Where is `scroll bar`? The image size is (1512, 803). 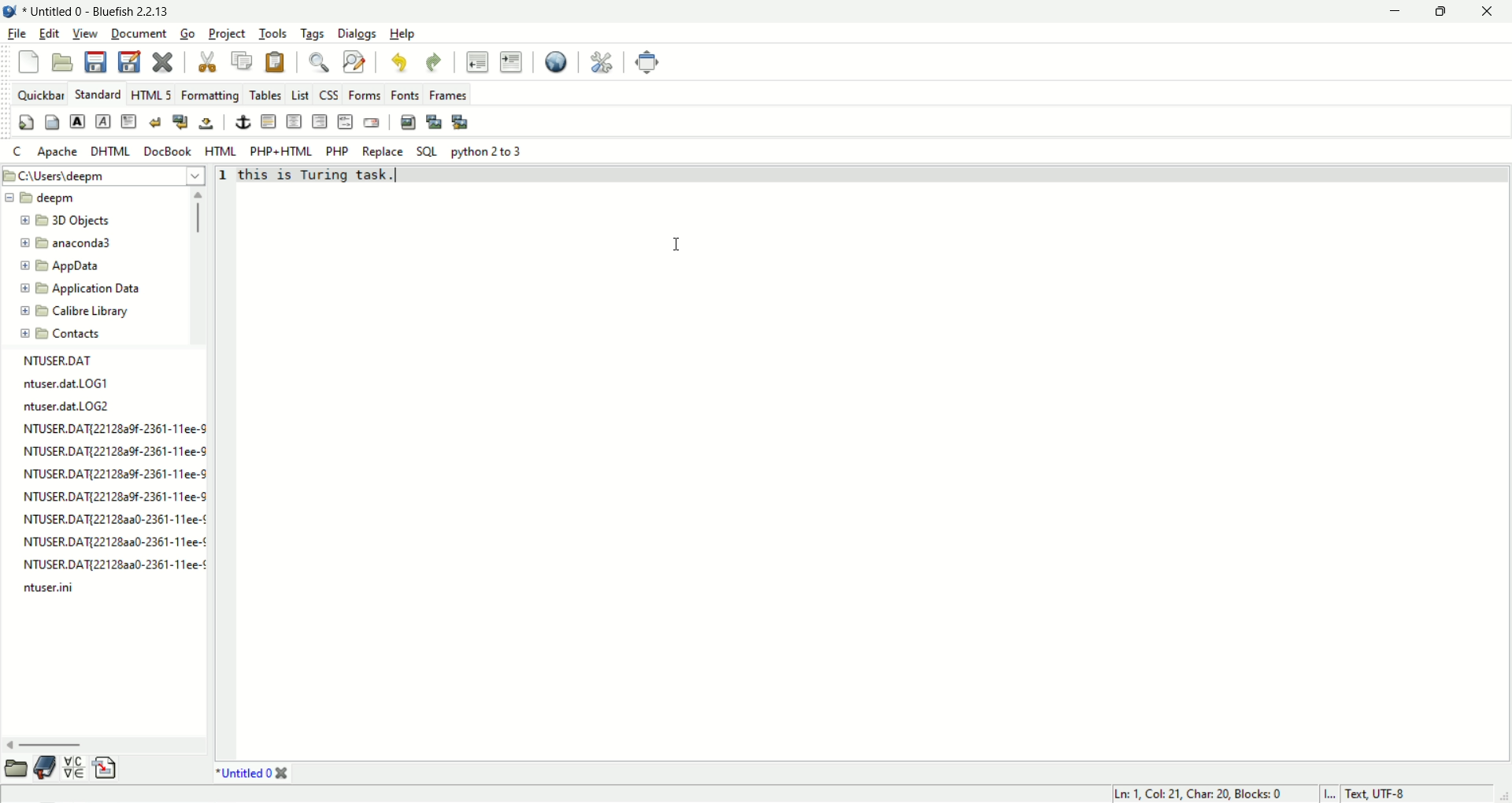 scroll bar is located at coordinates (199, 265).